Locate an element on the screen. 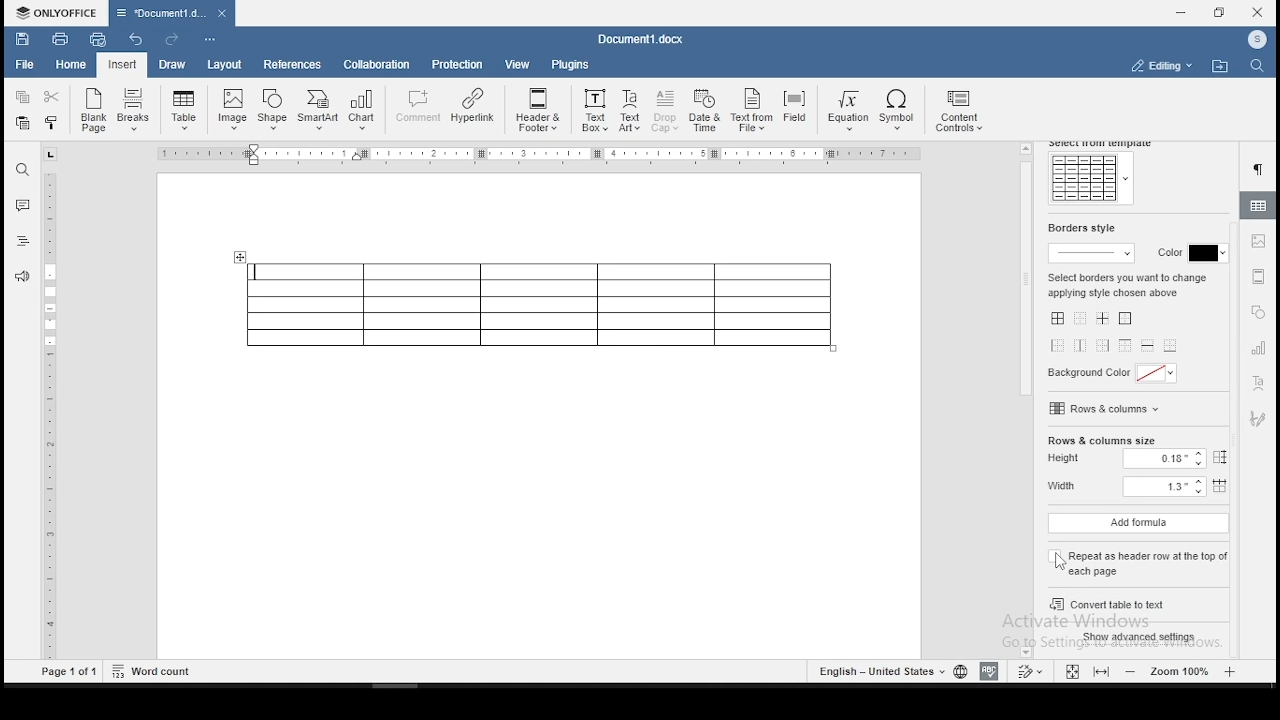 Image resolution: width=1280 pixels, height=720 pixels. select workspace is located at coordinates (1159, 64).